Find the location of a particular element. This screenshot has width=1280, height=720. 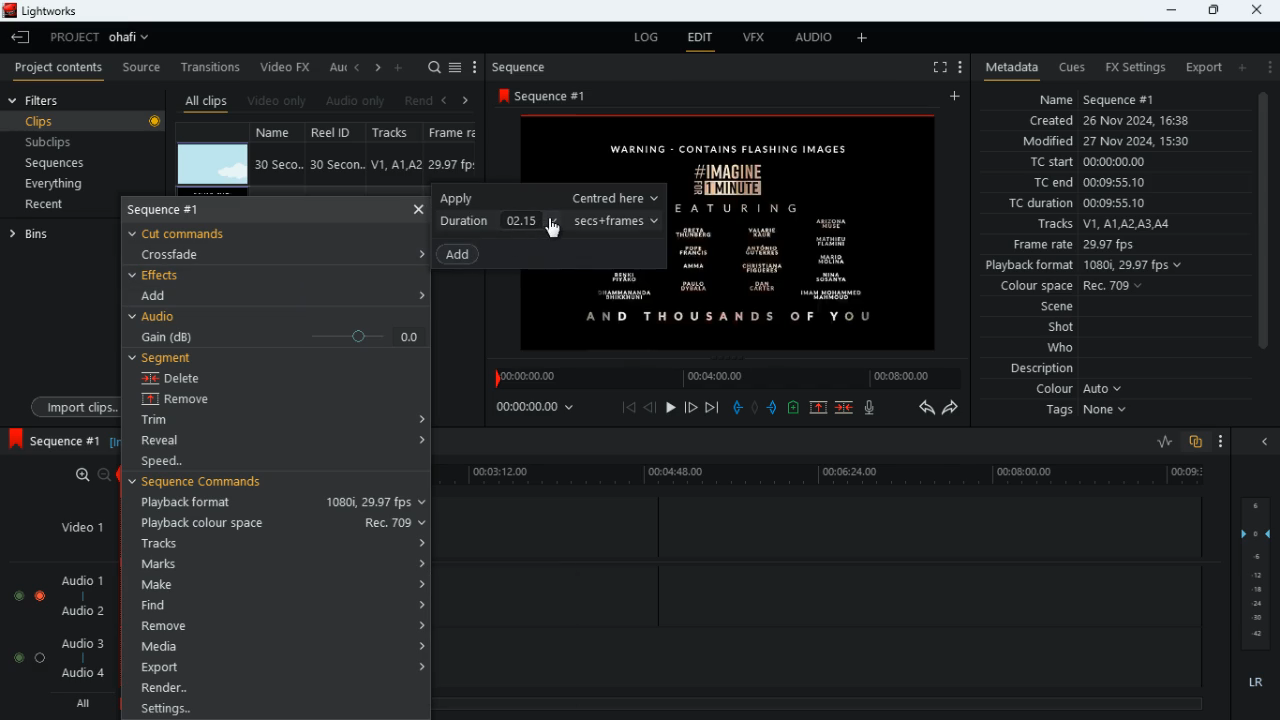

29.97 fps is located at coordinates (457, 165).